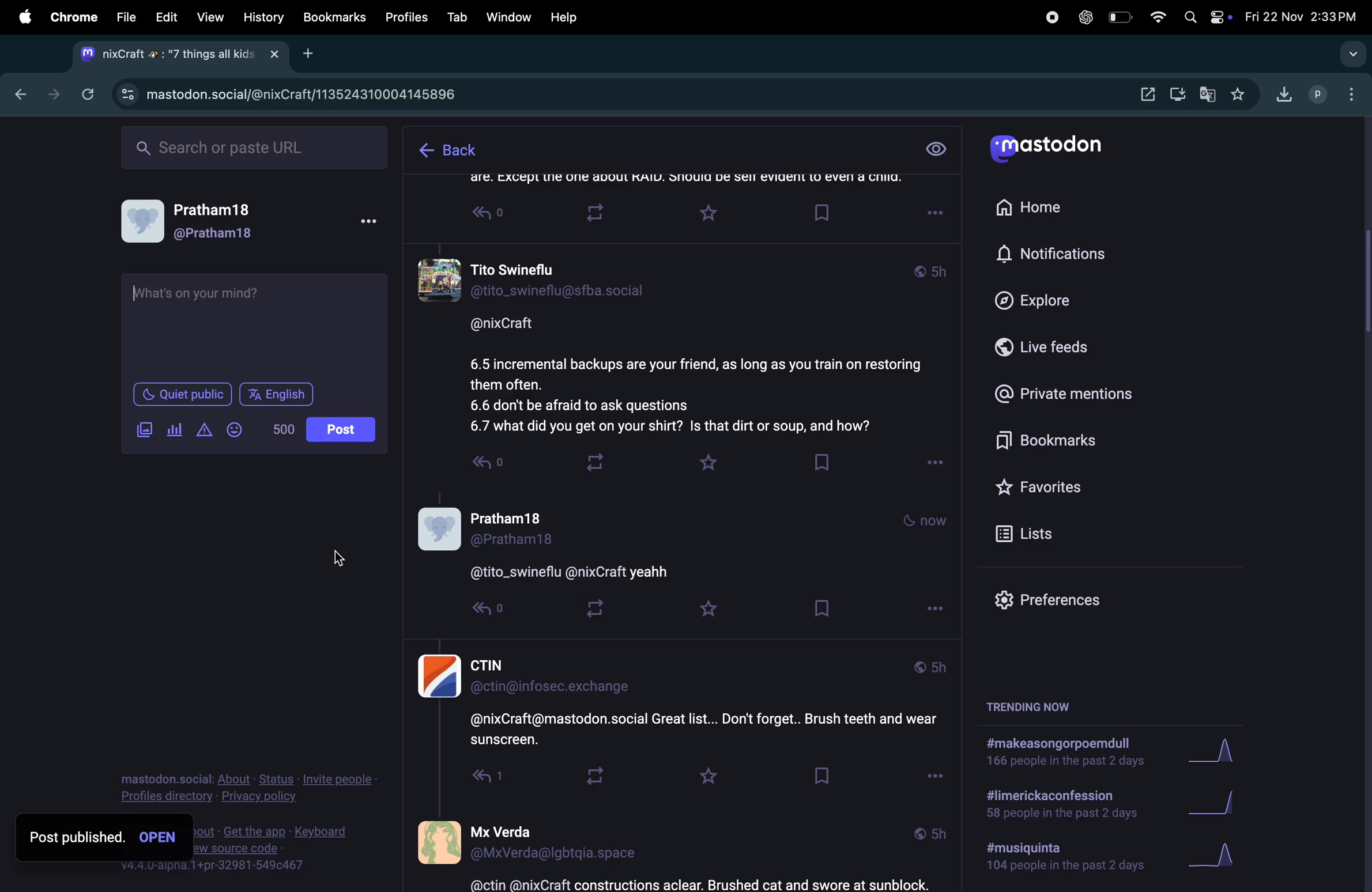  I want to click on thread, so click(672, 852).